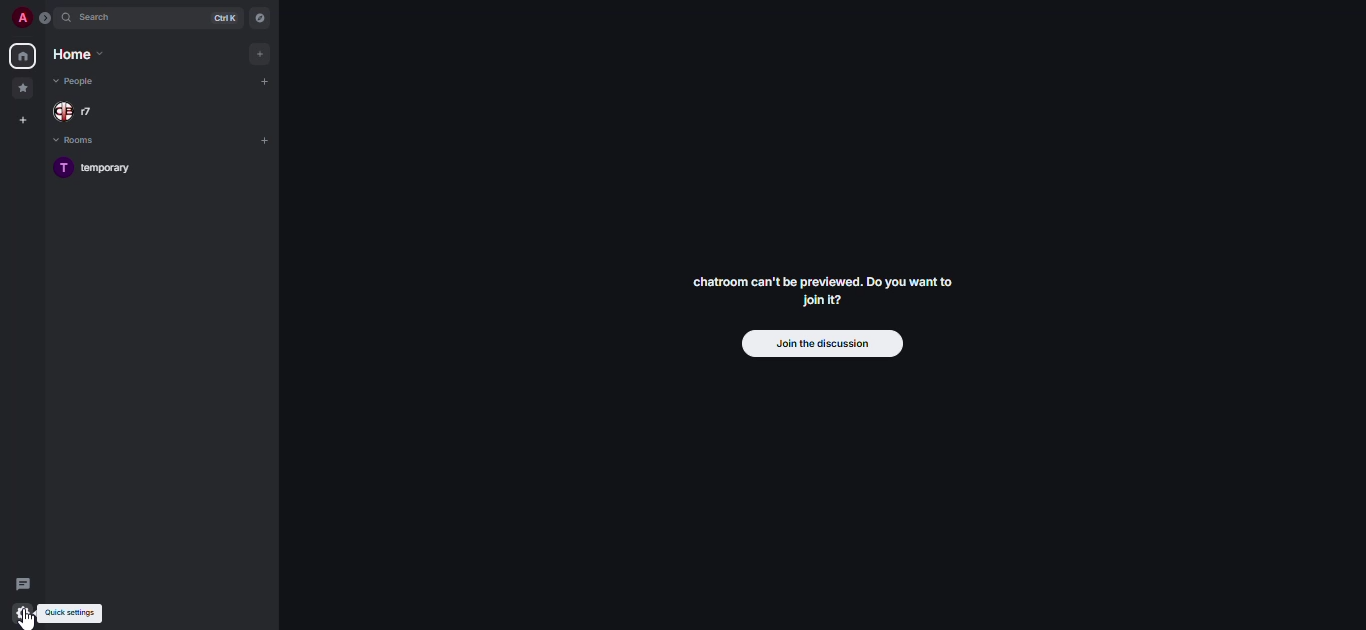 Image resolution: width=1366 pixels, height=630 pixels. I want to click on people, so click(81, 82).